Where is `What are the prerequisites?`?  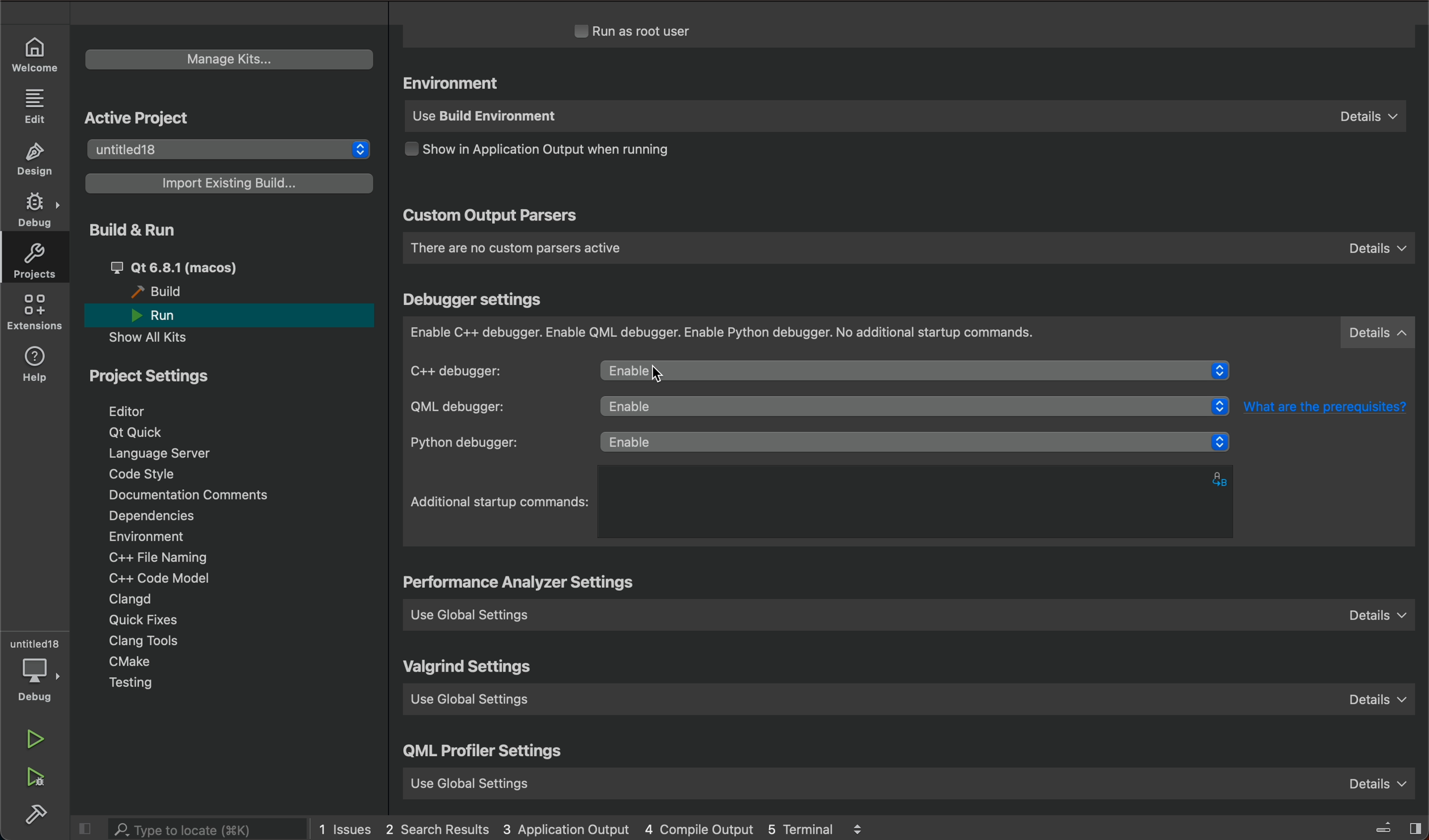 What are the prerequisites? is located at coordinates (1329, 410).